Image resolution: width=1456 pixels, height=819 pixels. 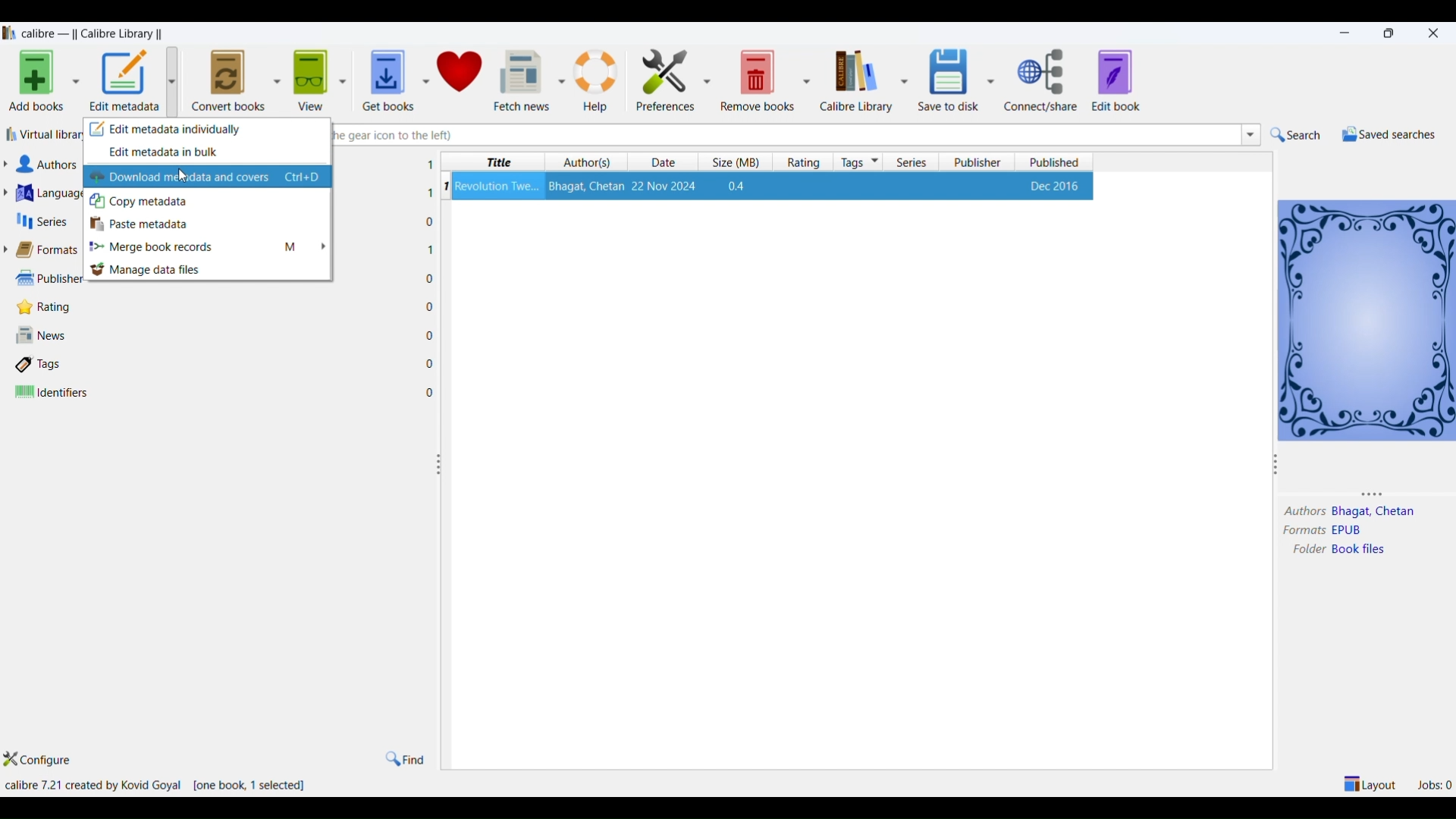 What do you see at coordinates (1043, 80) in the screenshot?
I see `Connect/share` at bounding box center [1043, 80].